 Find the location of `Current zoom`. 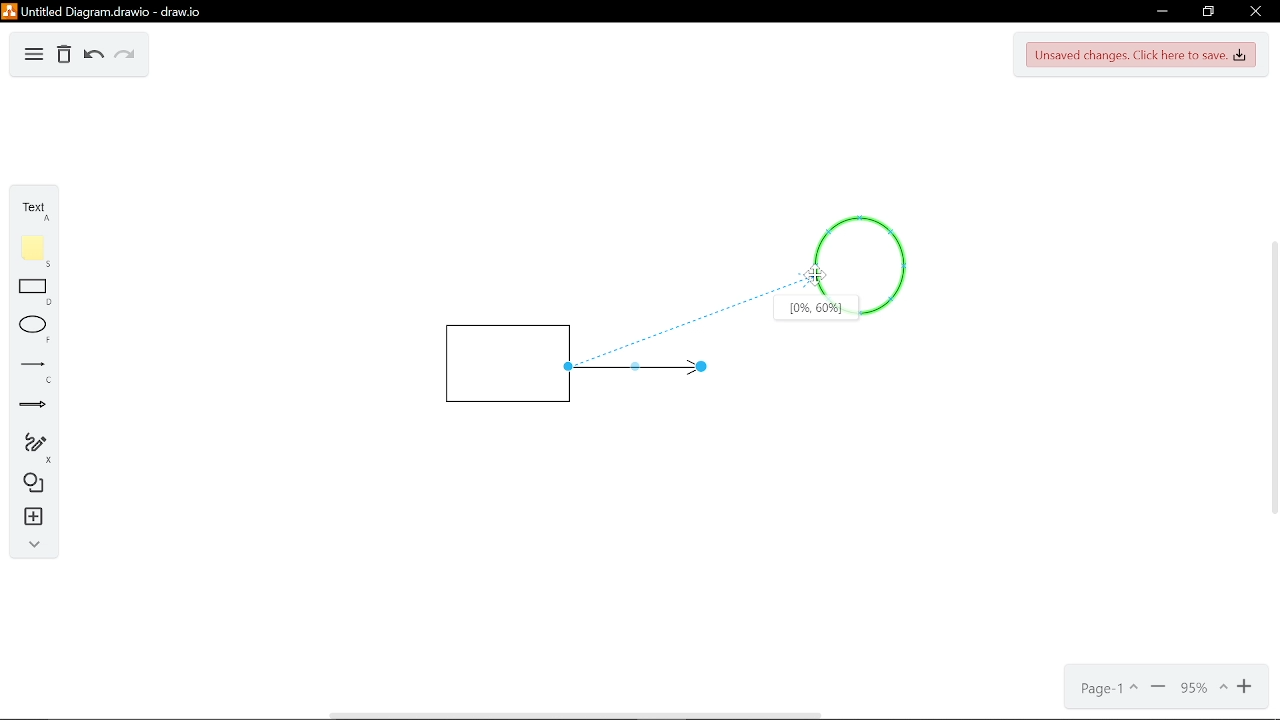

Current zoom is located at coordinates (1202, 688).